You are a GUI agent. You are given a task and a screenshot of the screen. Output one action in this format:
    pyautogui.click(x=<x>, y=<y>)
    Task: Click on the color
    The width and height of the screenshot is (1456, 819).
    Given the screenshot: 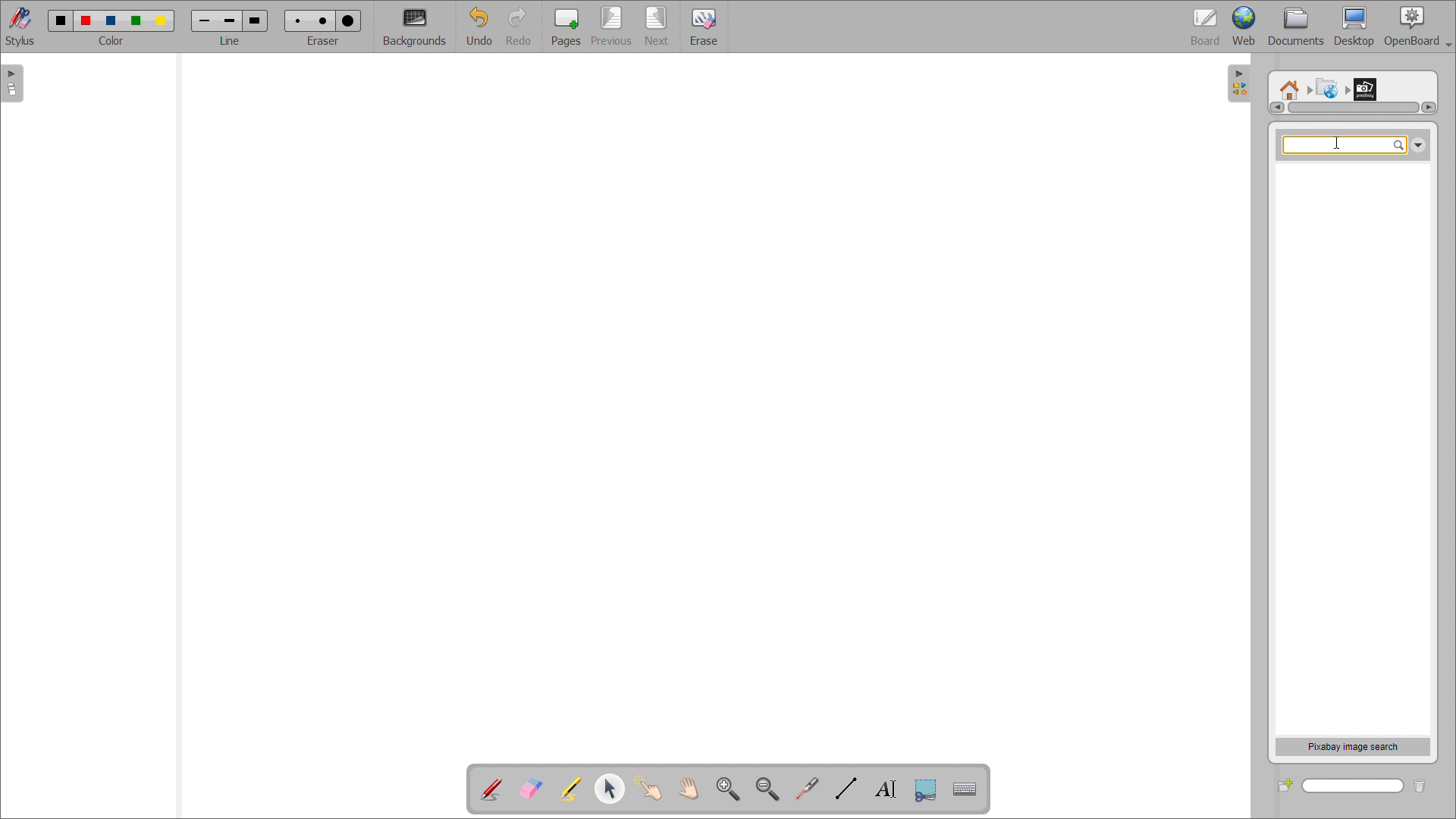 What is the action you would take?
    pyautogui.click(x=112, y=41)
    